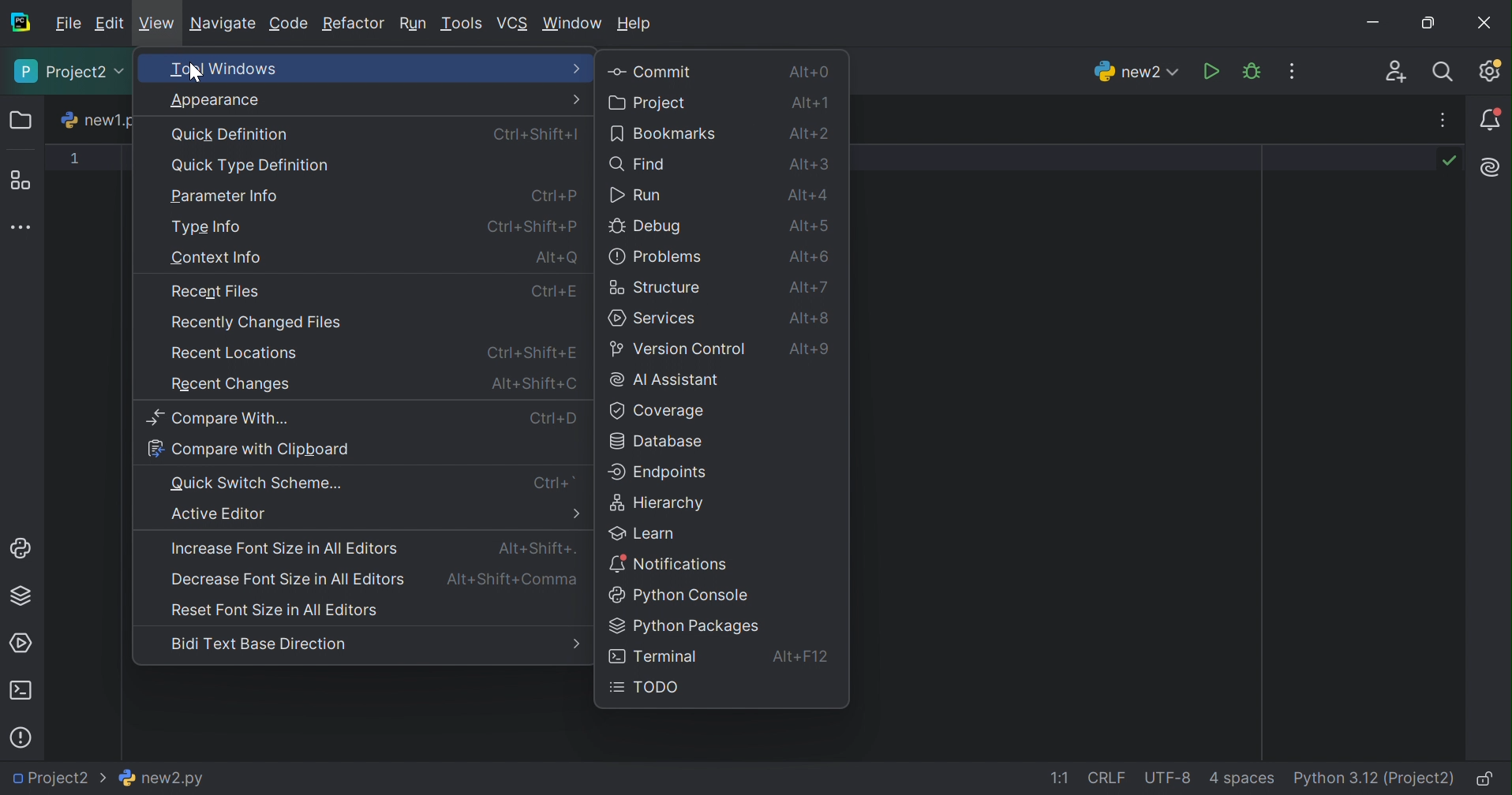 The image size is (1512, 795). What do you see at coordinates (656, 658) in the screenshot?
I see `Terminal` at bounding box center [656, 658].